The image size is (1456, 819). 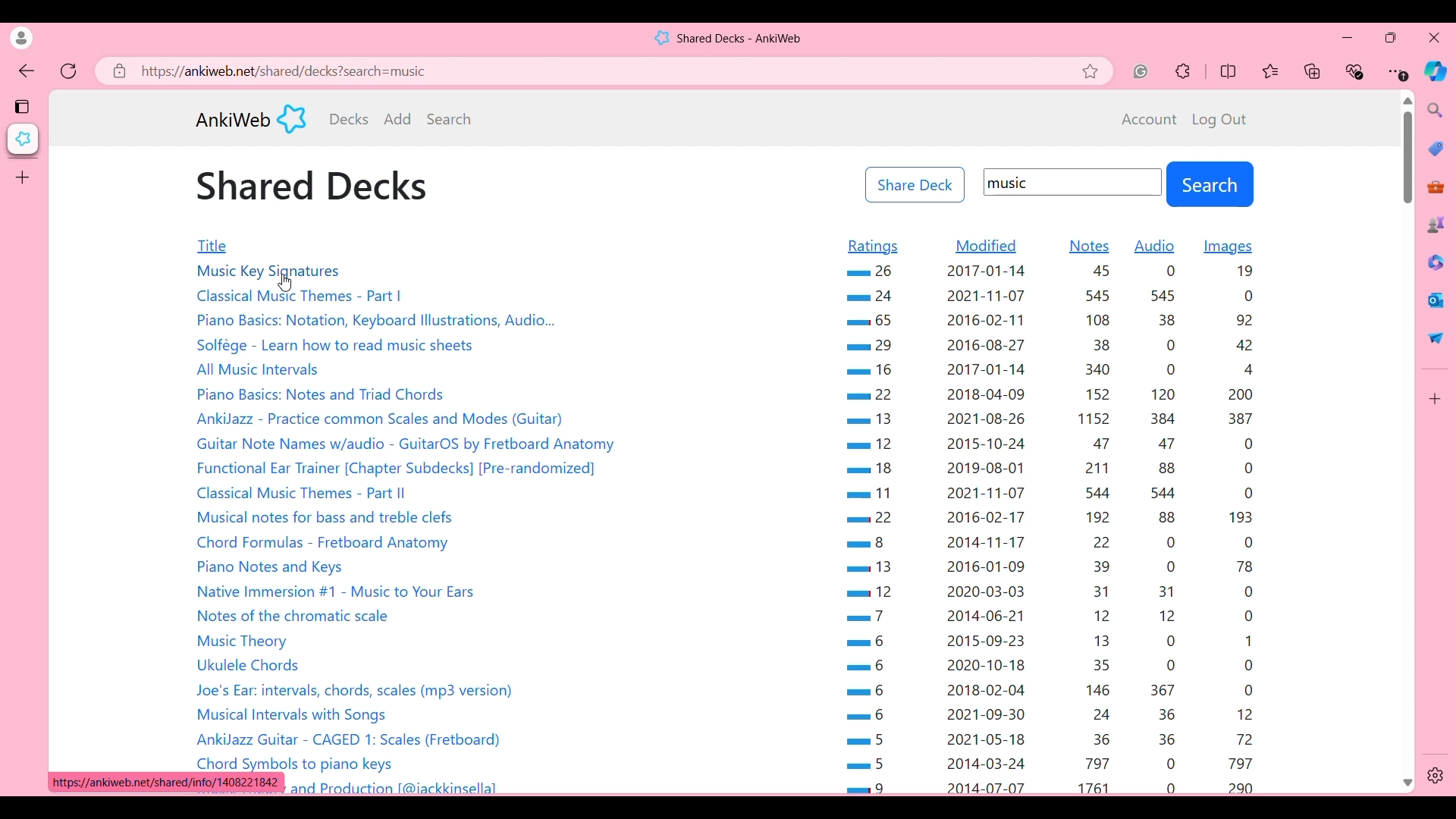 What do you see at coordinates (1436, 110) in the screenshot?
I see `Search` at bounding box center [1436, 110].